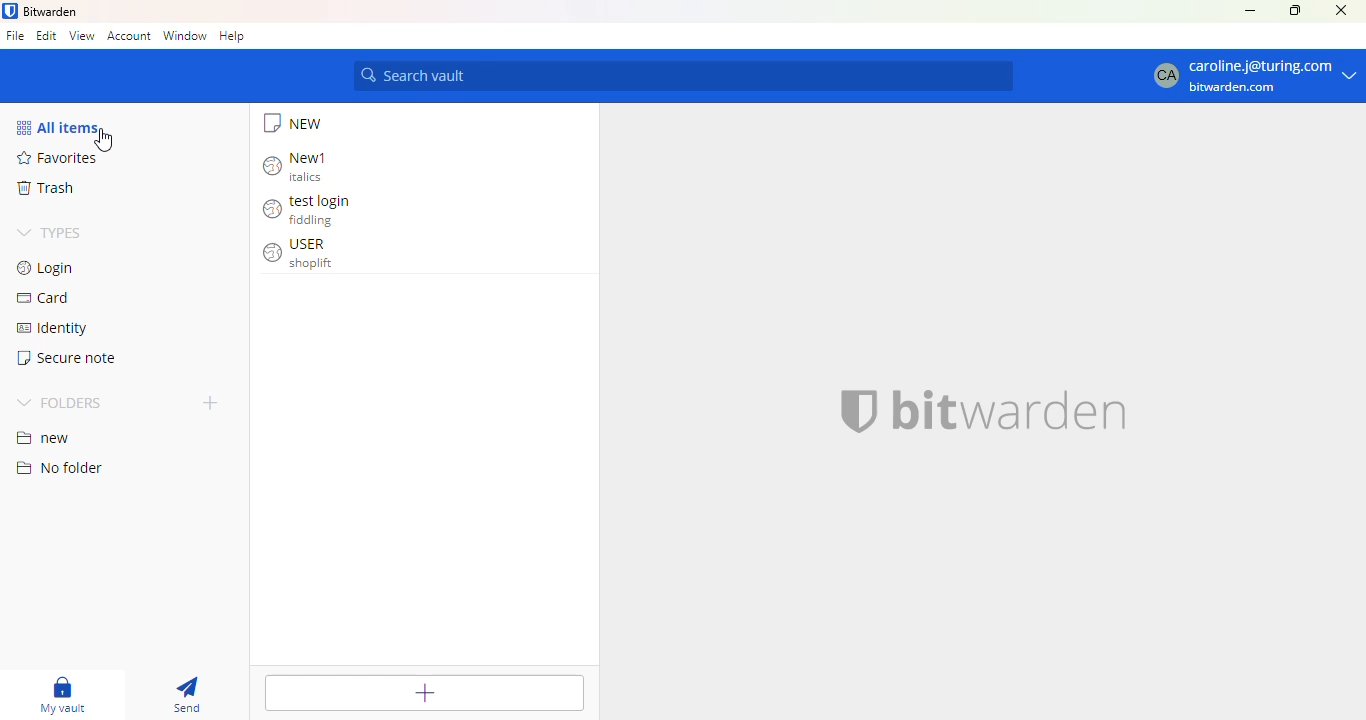  Describe the element at coordinates (60, 403) in the screenshot. I see `folders` at that location.